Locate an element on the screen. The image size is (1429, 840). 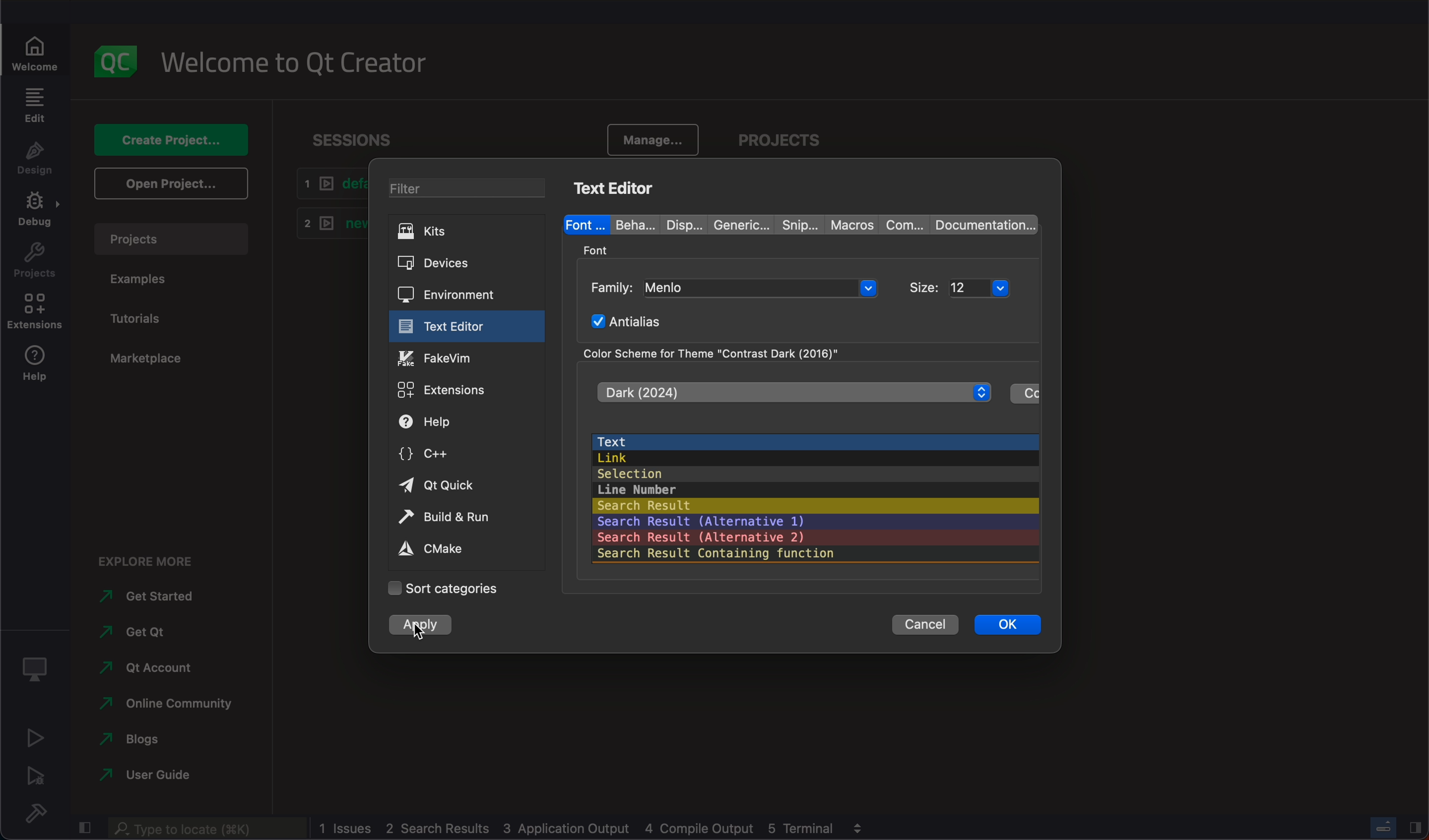
online community is located at coordinates (166, 705).